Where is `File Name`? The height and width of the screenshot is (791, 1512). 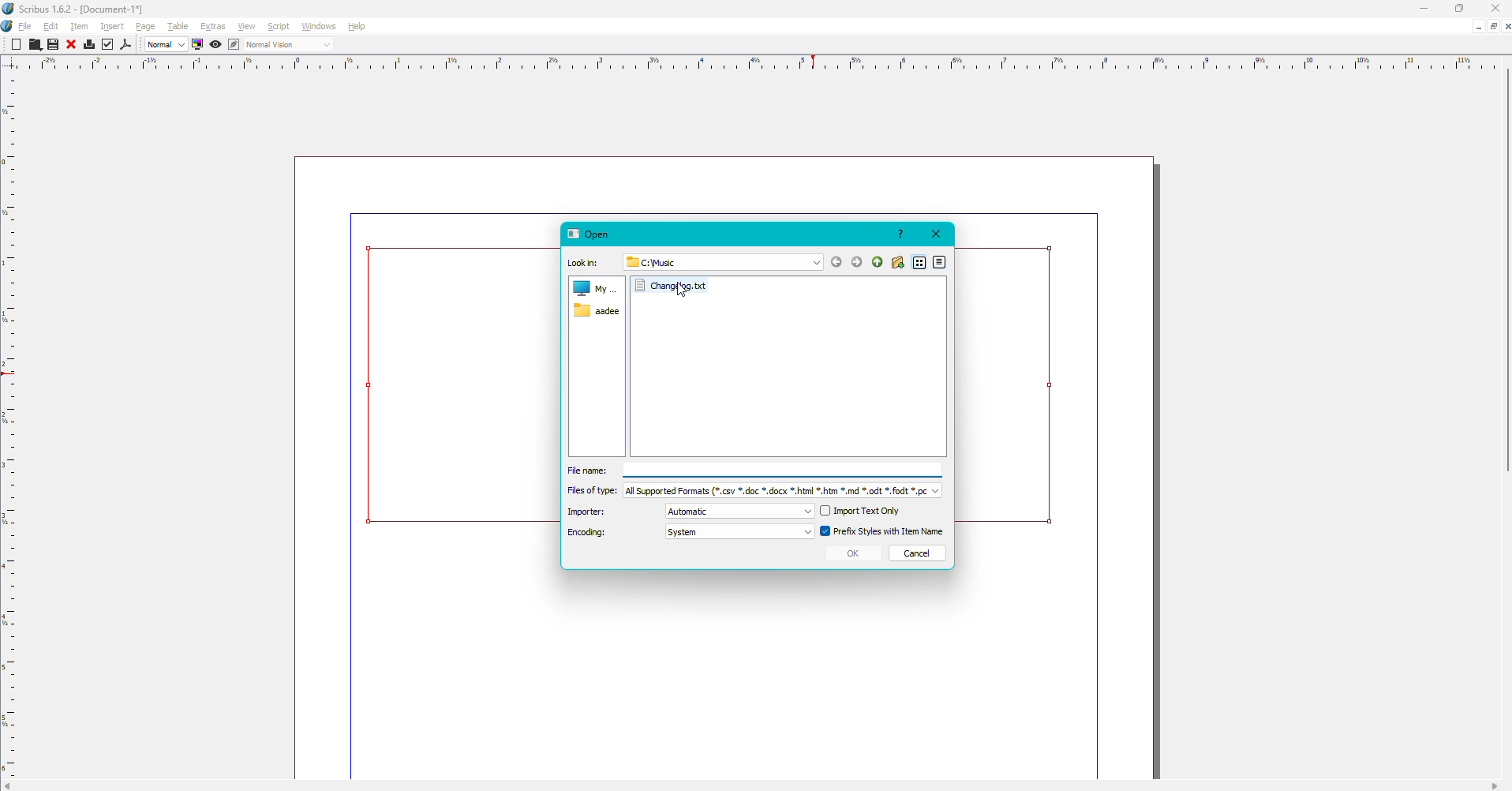 File Name is located at coordinates (754, 471).